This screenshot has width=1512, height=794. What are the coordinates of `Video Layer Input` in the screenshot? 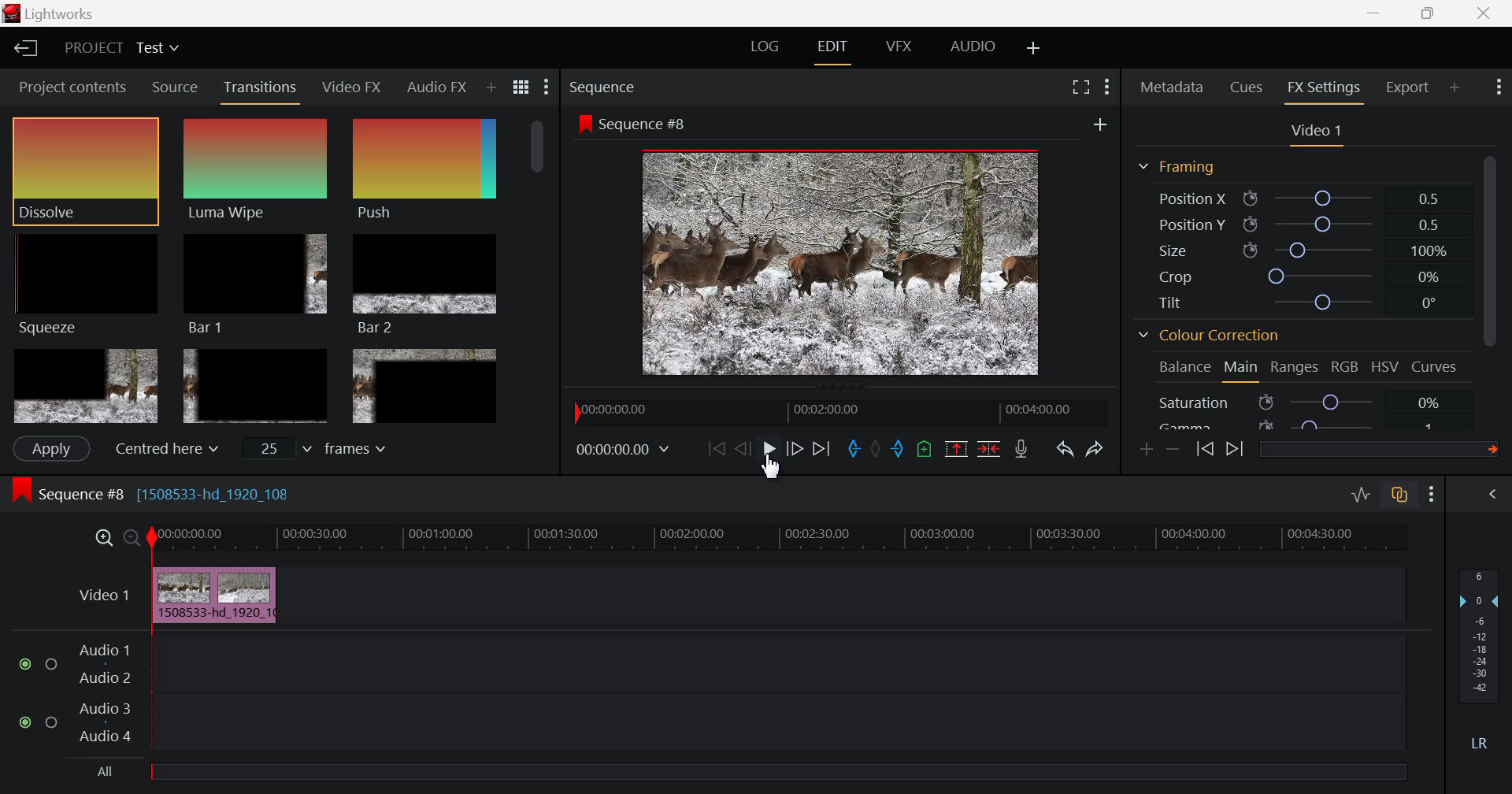 It's located at (100, 598).